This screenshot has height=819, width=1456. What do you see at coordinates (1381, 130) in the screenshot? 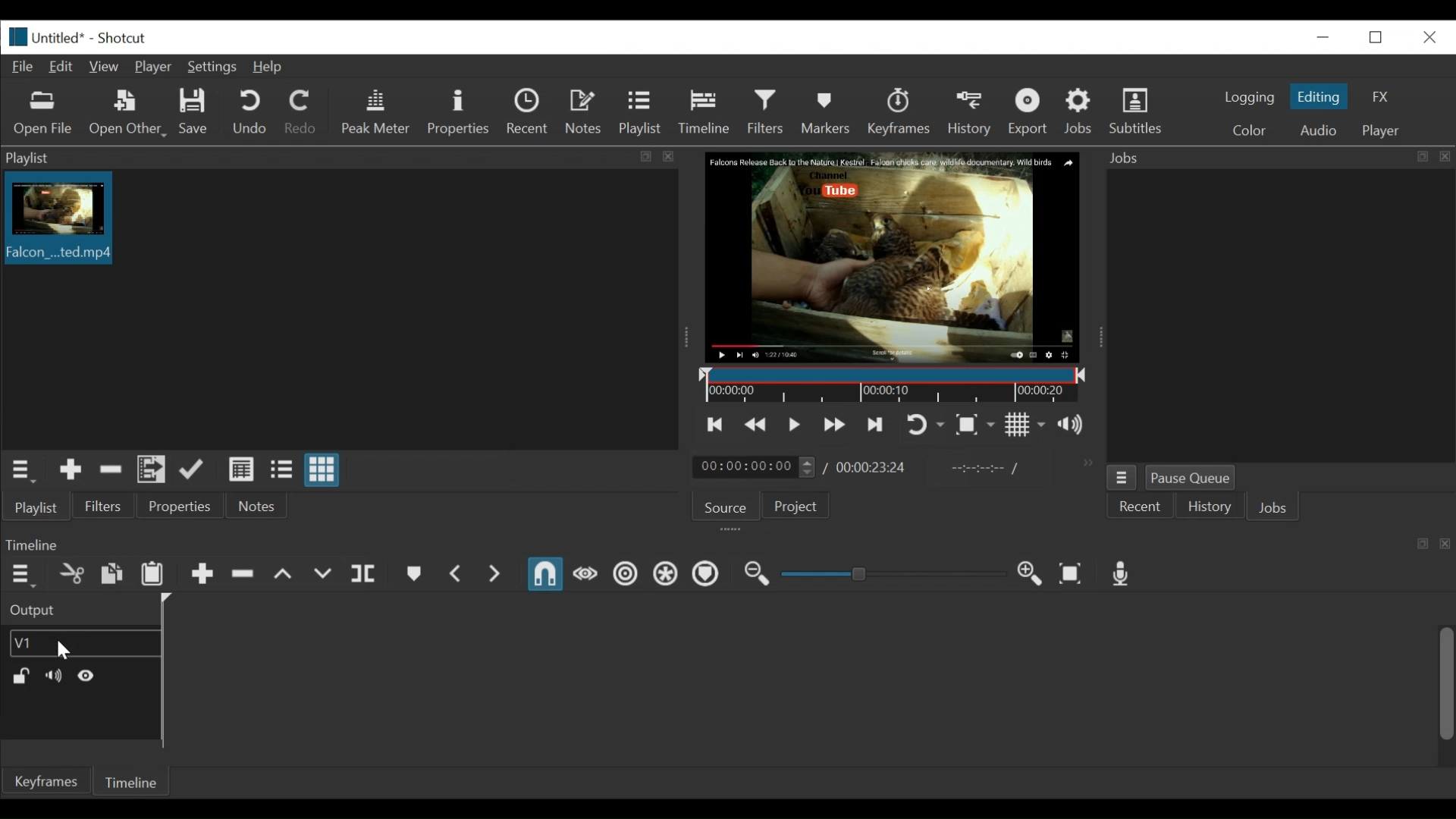
I see `Player` at bounding box center [1381, 130].